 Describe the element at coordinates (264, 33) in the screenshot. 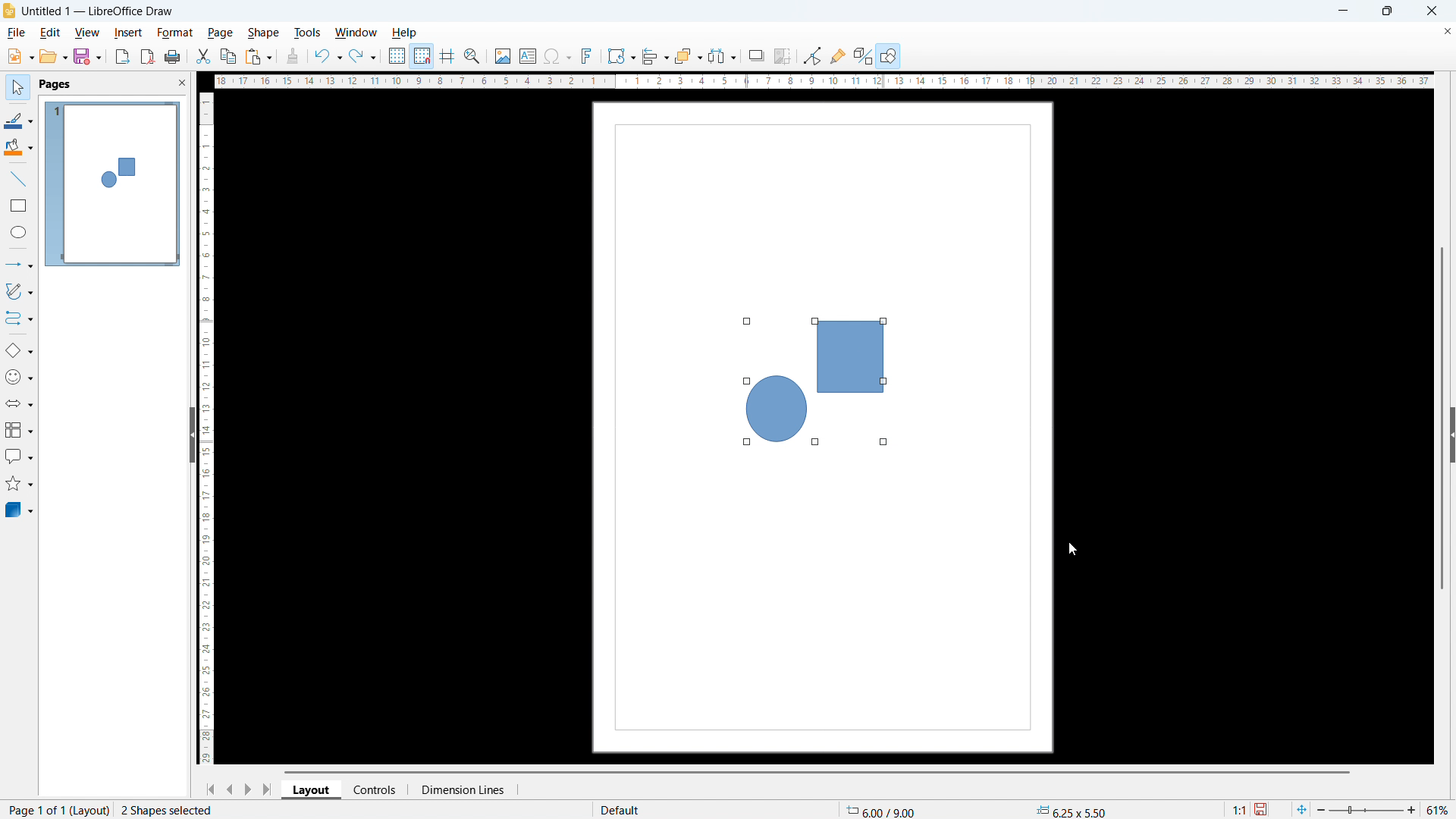

I see `shape` at that location.